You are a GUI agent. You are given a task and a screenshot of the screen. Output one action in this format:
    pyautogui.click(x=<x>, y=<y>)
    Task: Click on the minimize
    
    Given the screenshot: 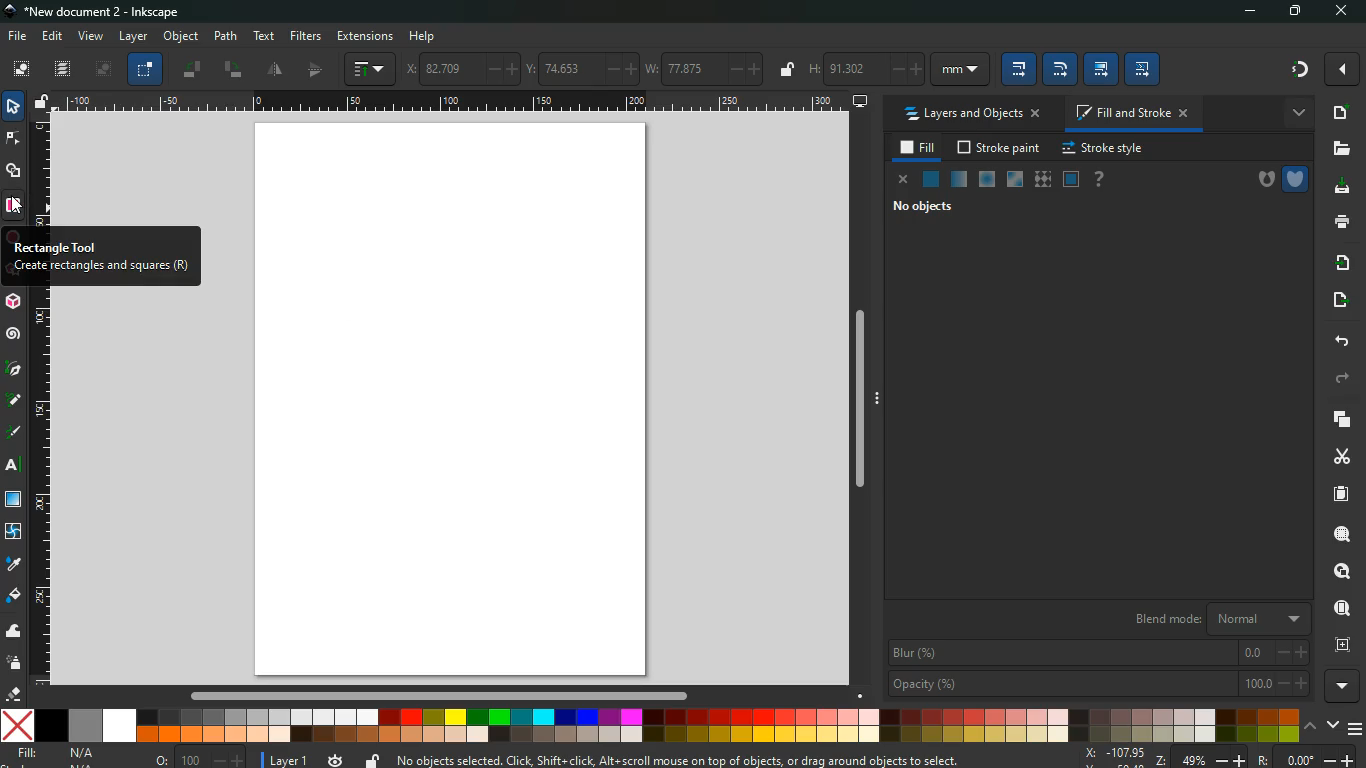 What is the action you would take?
    pyautogui.click(x=1247, y=12)
    